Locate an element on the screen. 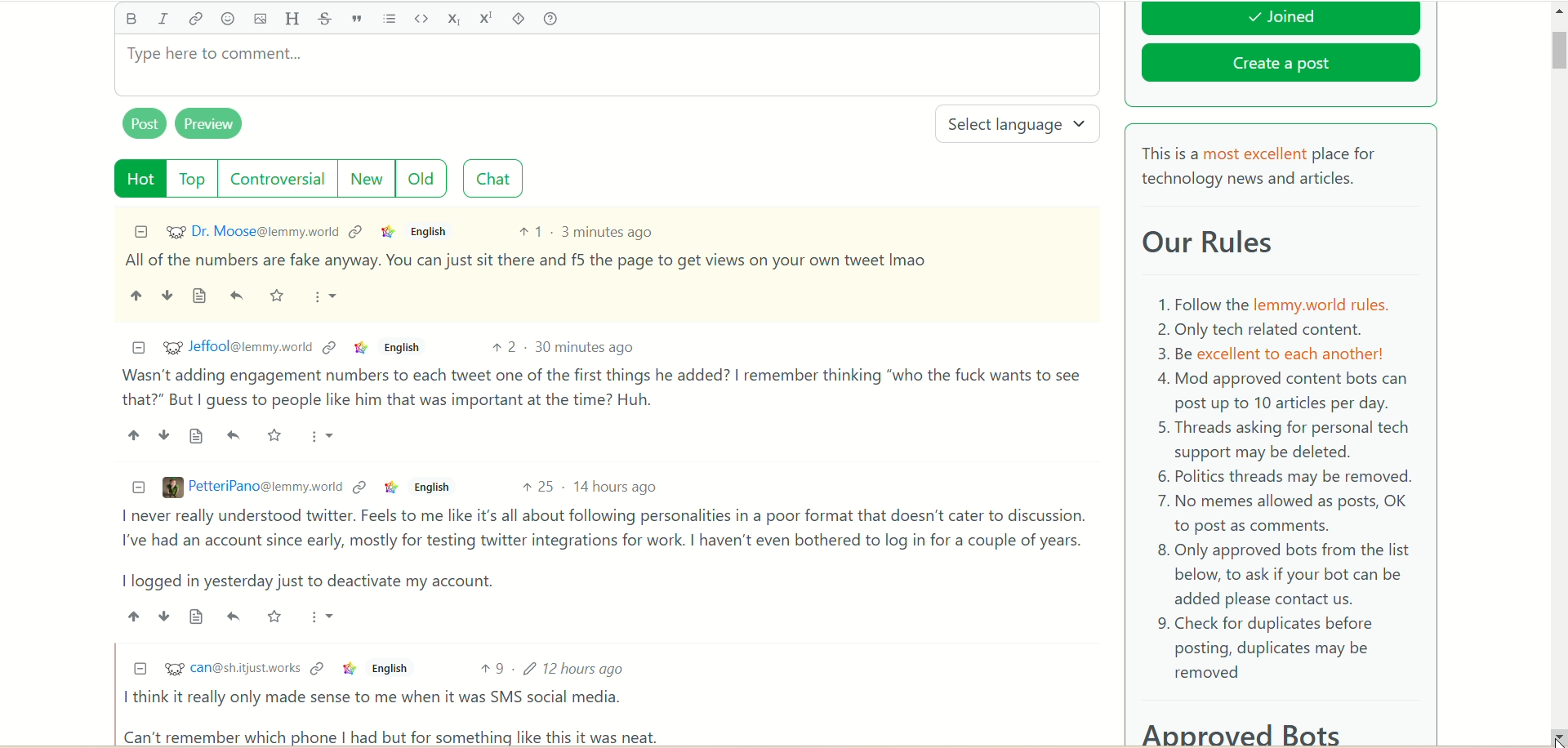 The image size is (1568, 748). quote is located at coordinates (356, 19).